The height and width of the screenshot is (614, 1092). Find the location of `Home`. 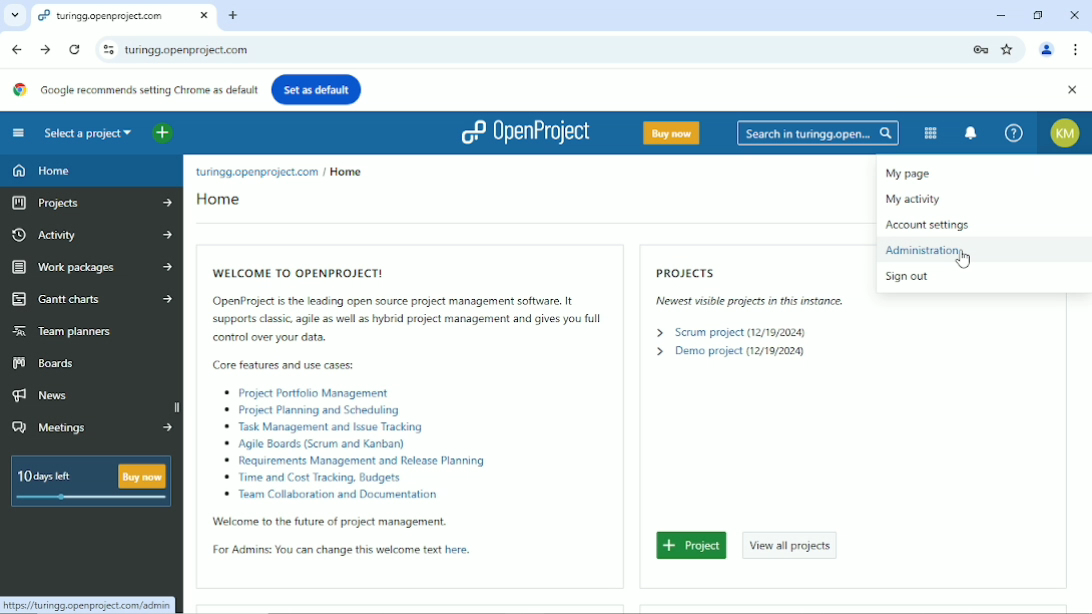

Home is located at coordinates (44, 170).